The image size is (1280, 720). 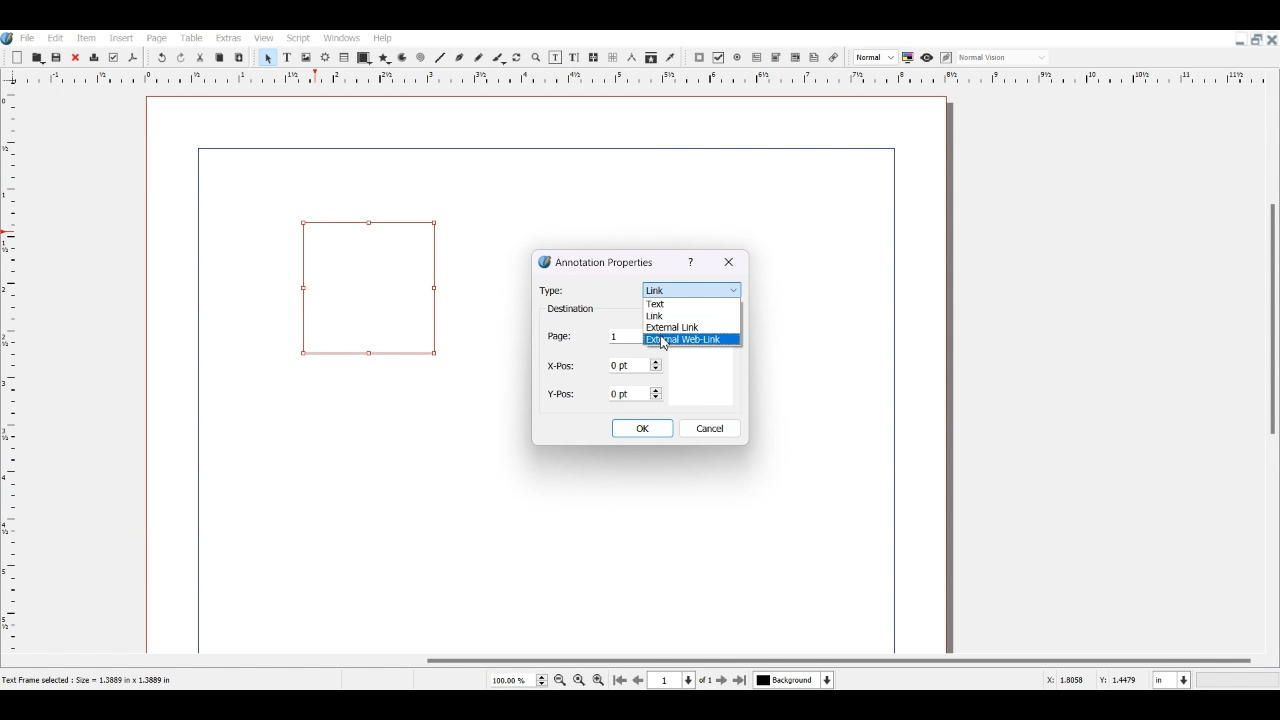 I want to click on Maximize, so click(x=1256, y=38).